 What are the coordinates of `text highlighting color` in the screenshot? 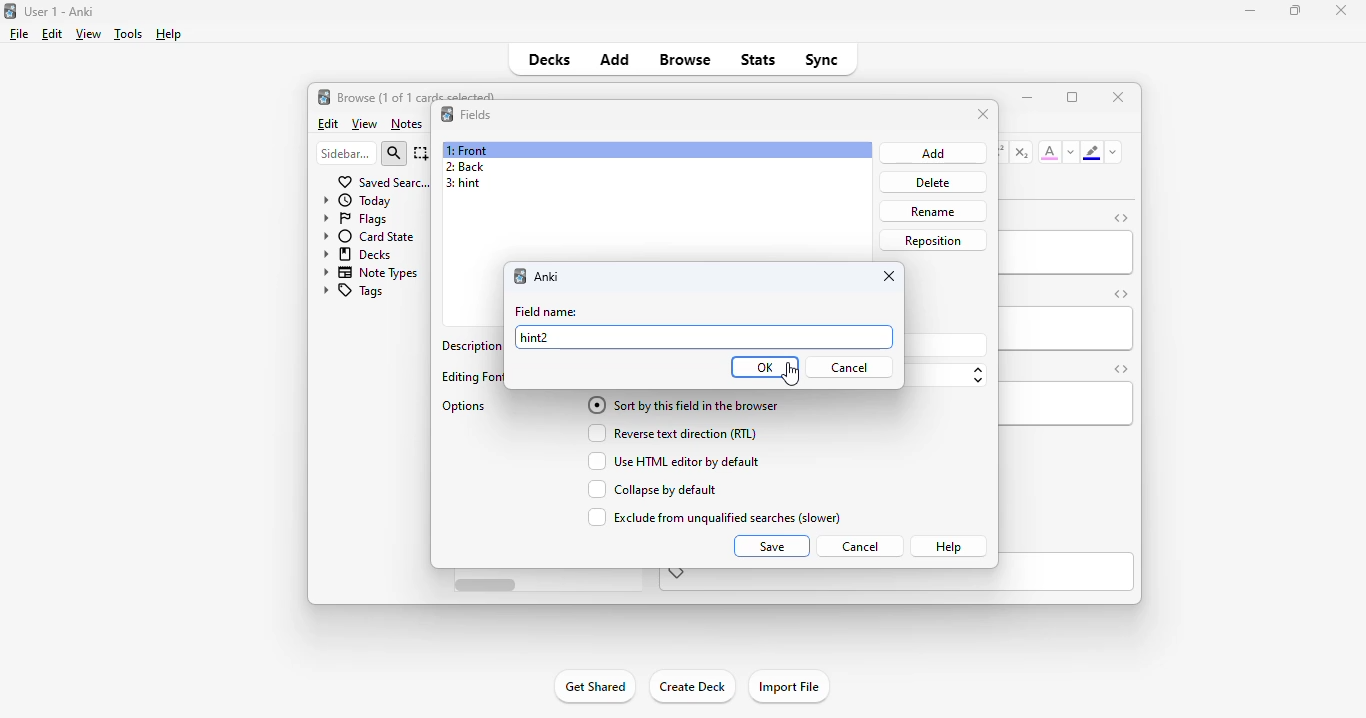 It's located at (1091, 152).